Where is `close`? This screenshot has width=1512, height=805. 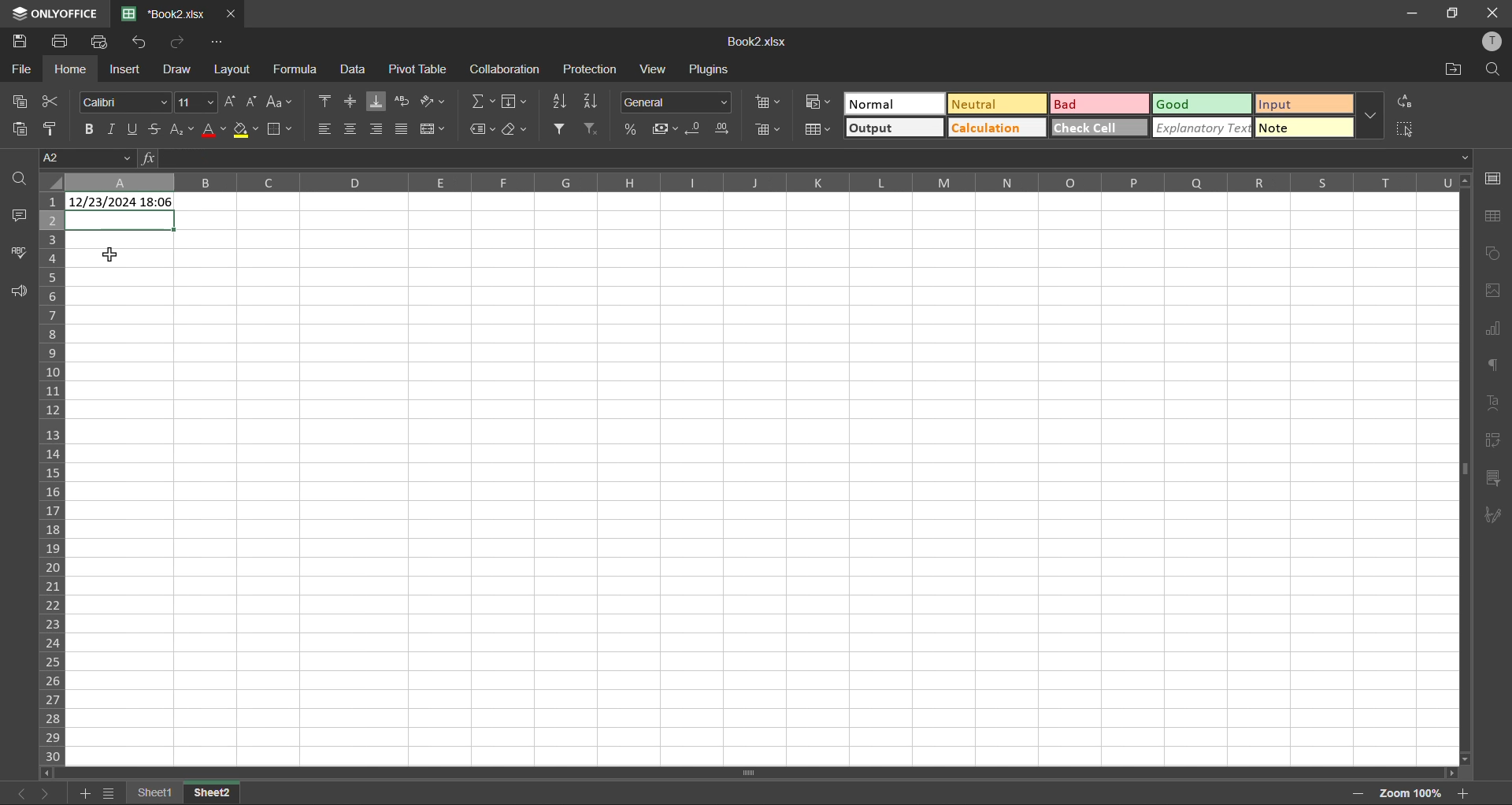 close is located at coordinates (1493, 10).